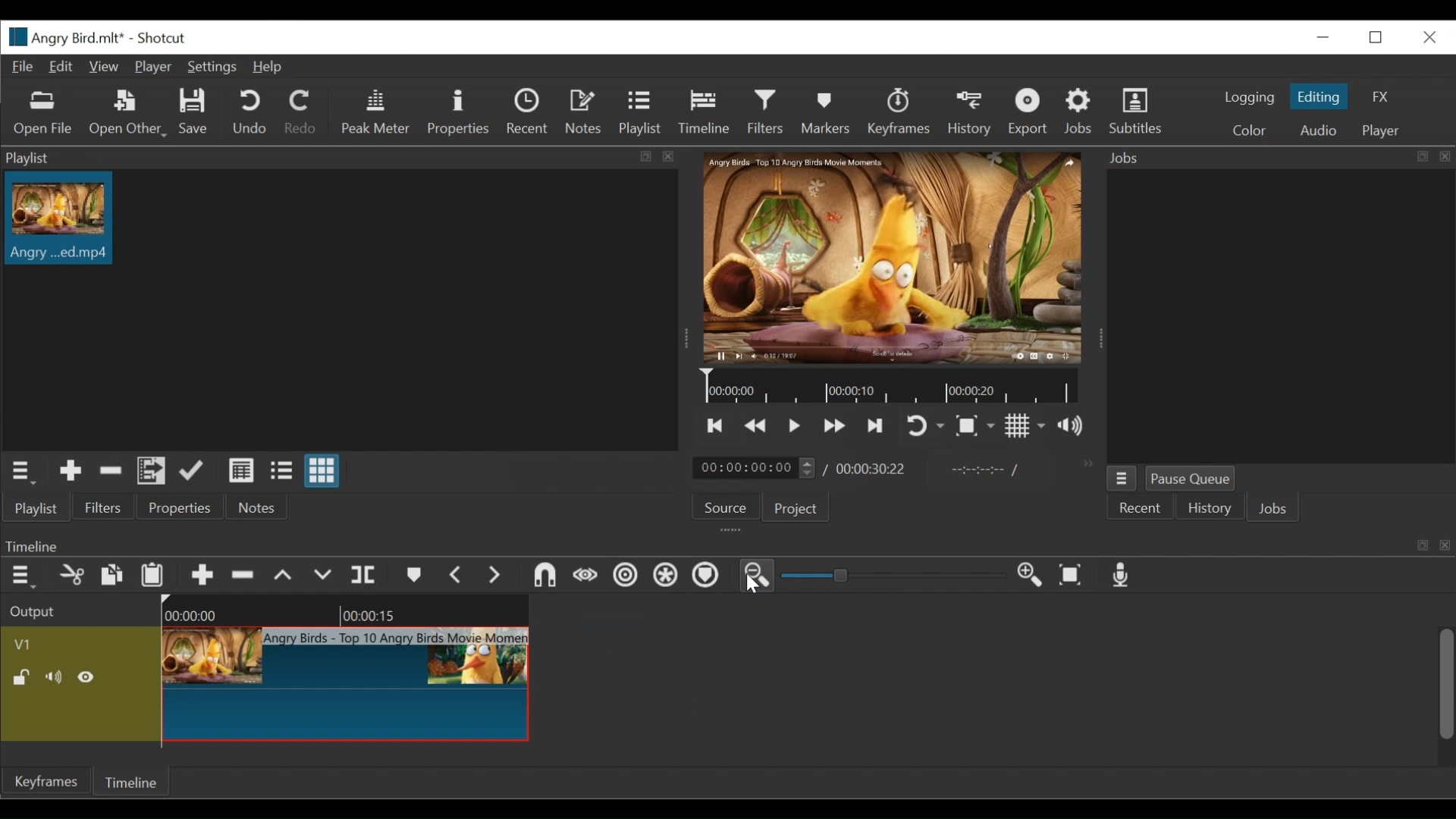 The height and width of the screenshot is (819, 1456). What do you see at coordinates (975, 425) in the screenshot?
I see `Toggle Zoom ` at bounding box center [975, 425].